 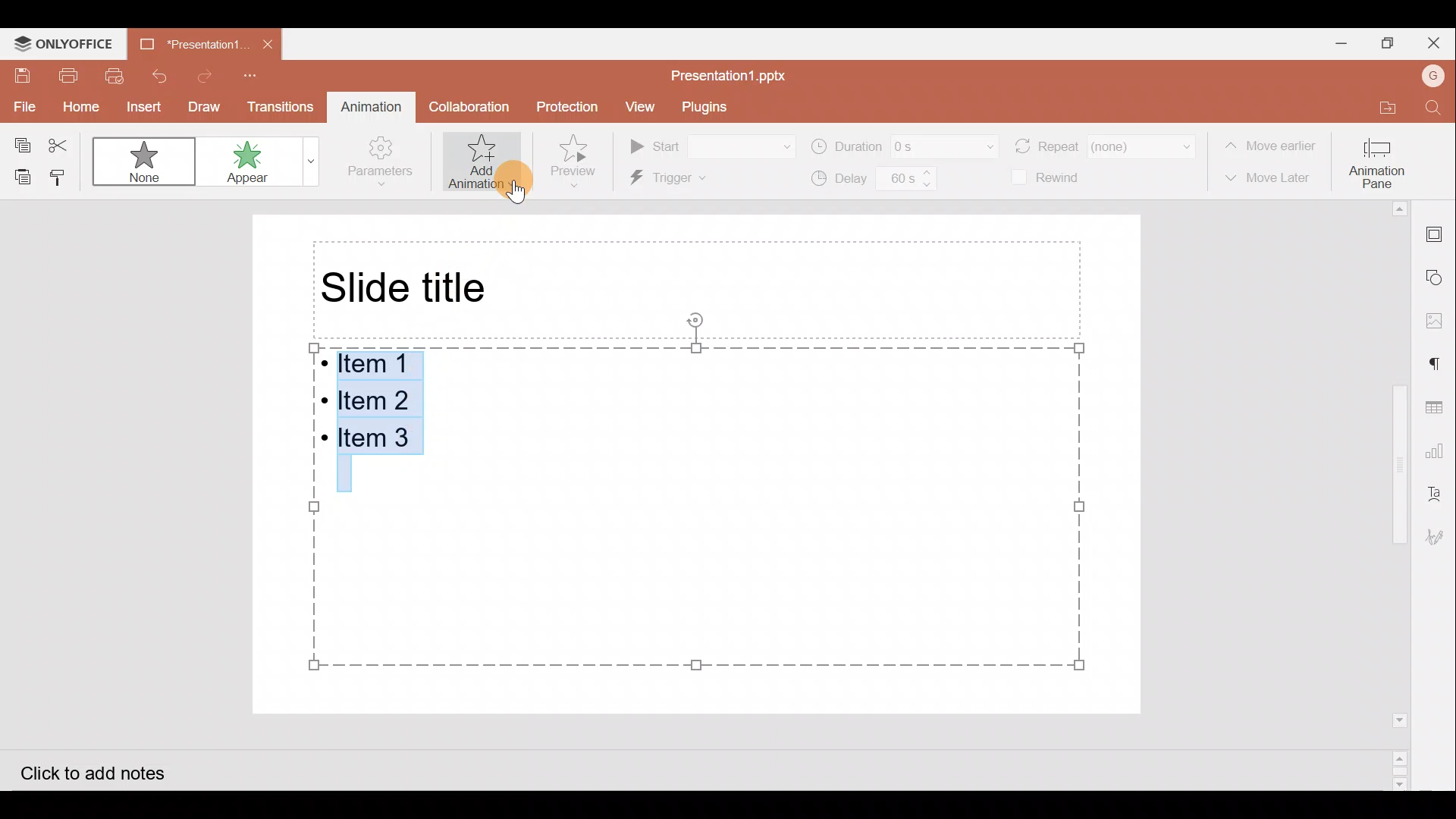 I want to click on Redo, so click(x=204, y=76).